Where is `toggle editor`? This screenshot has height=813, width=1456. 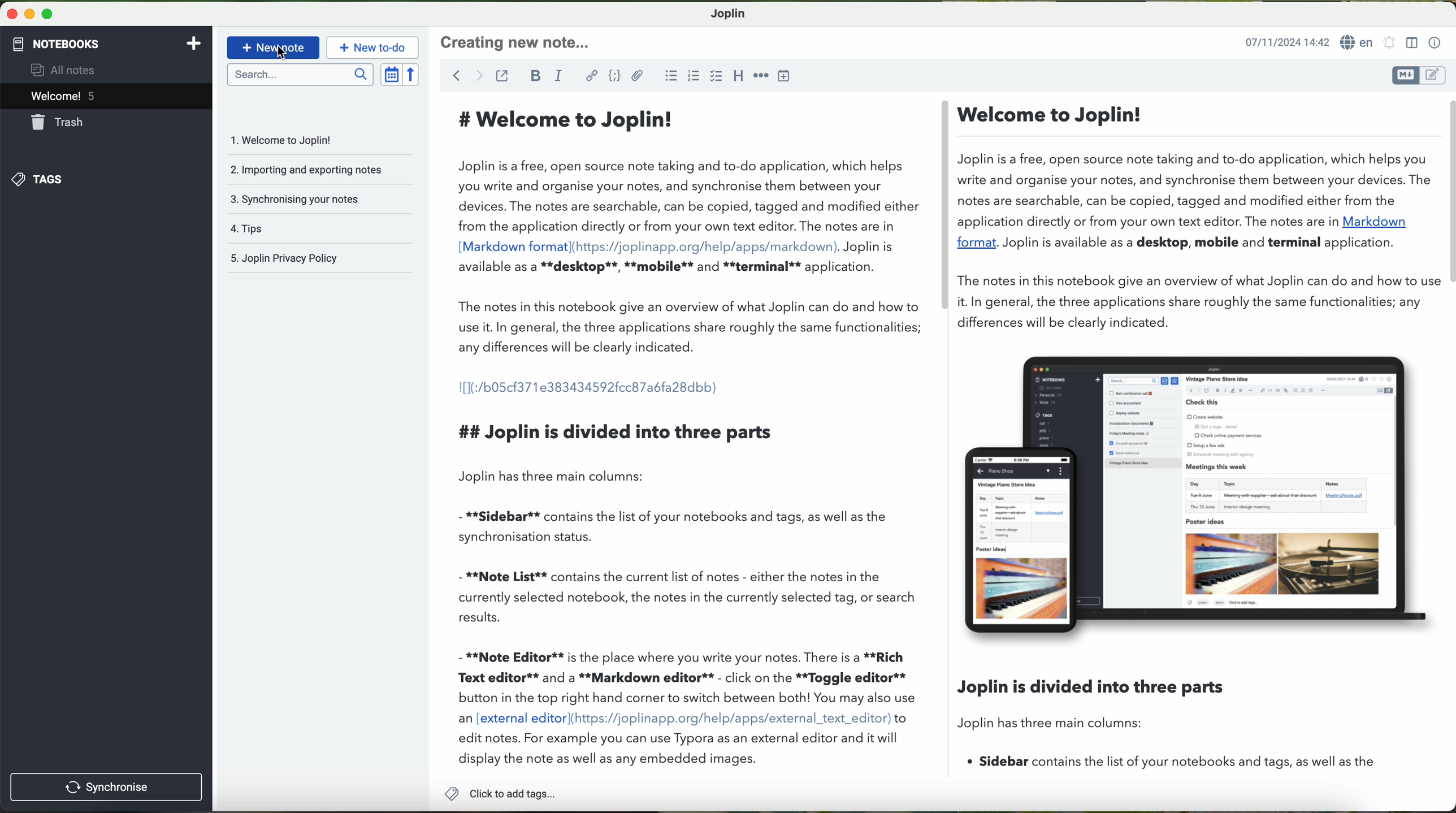
toggle editor is located at coordinates (1419, 75).